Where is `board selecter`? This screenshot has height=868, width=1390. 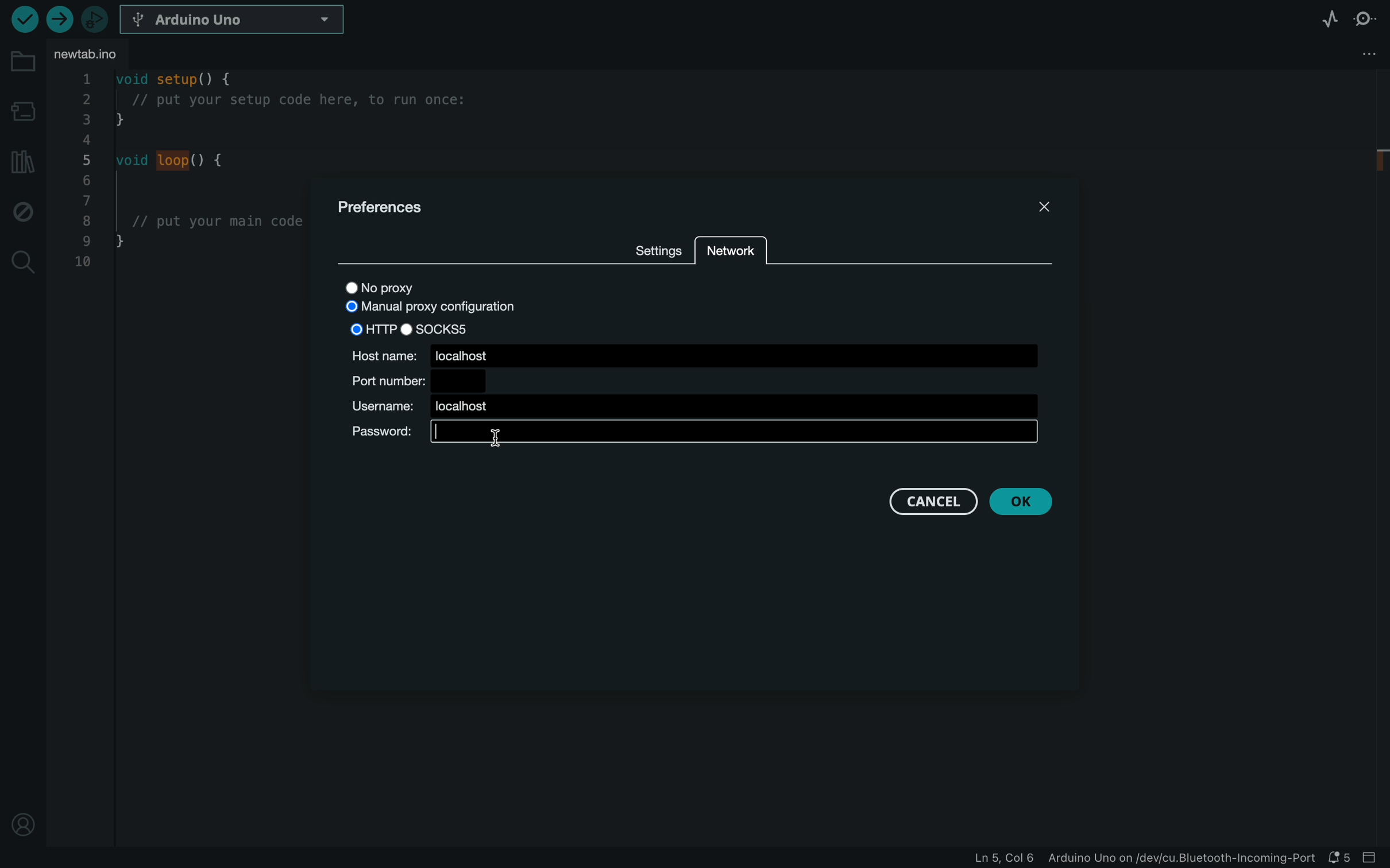
board selecter is located at coordinates (234, 20).